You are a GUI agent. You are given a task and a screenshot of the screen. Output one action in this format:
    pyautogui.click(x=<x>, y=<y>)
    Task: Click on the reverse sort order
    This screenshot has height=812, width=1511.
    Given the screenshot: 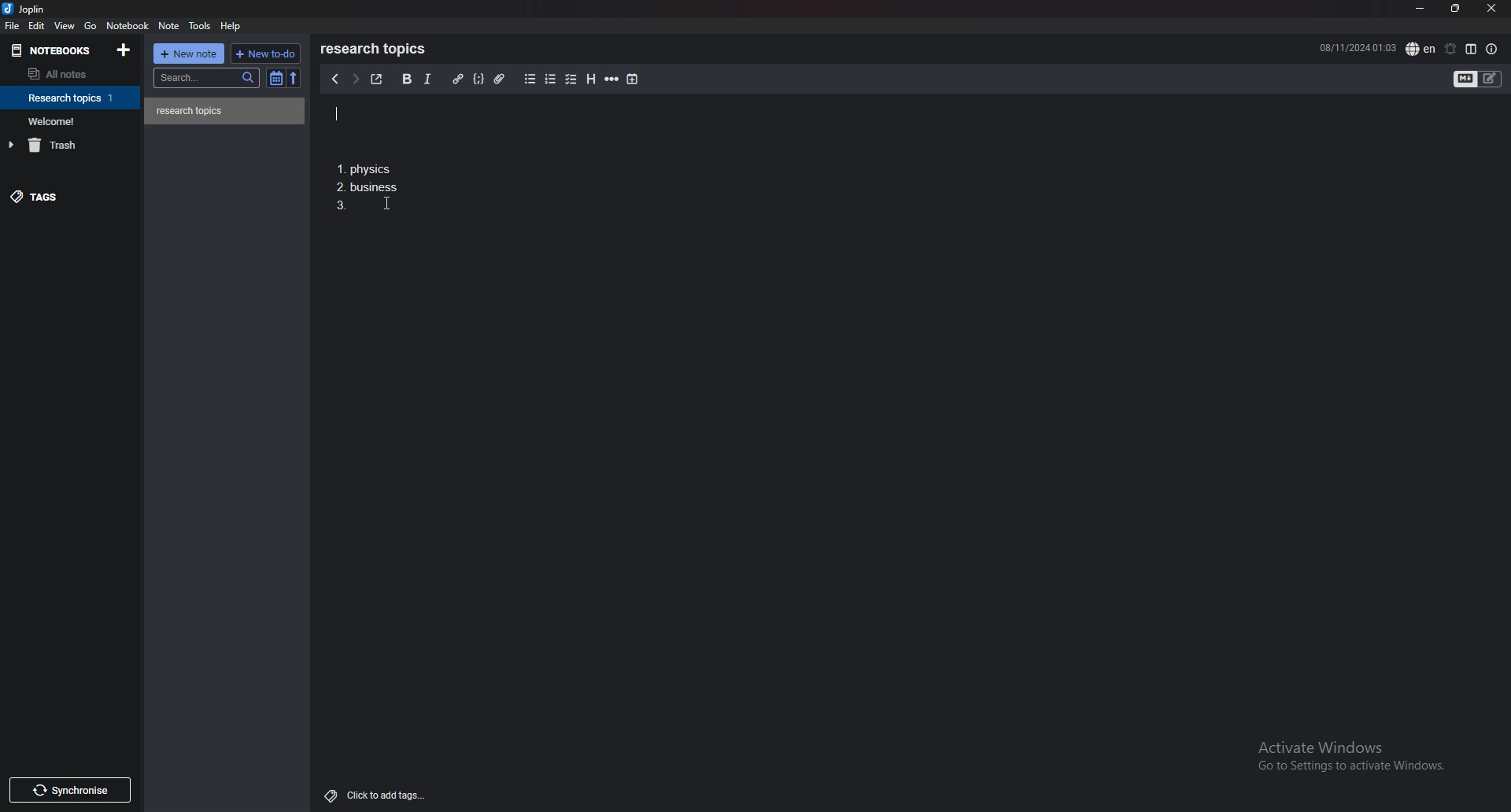 What is the action you would take?
    pyautogui.click(x=293, y=78)
    